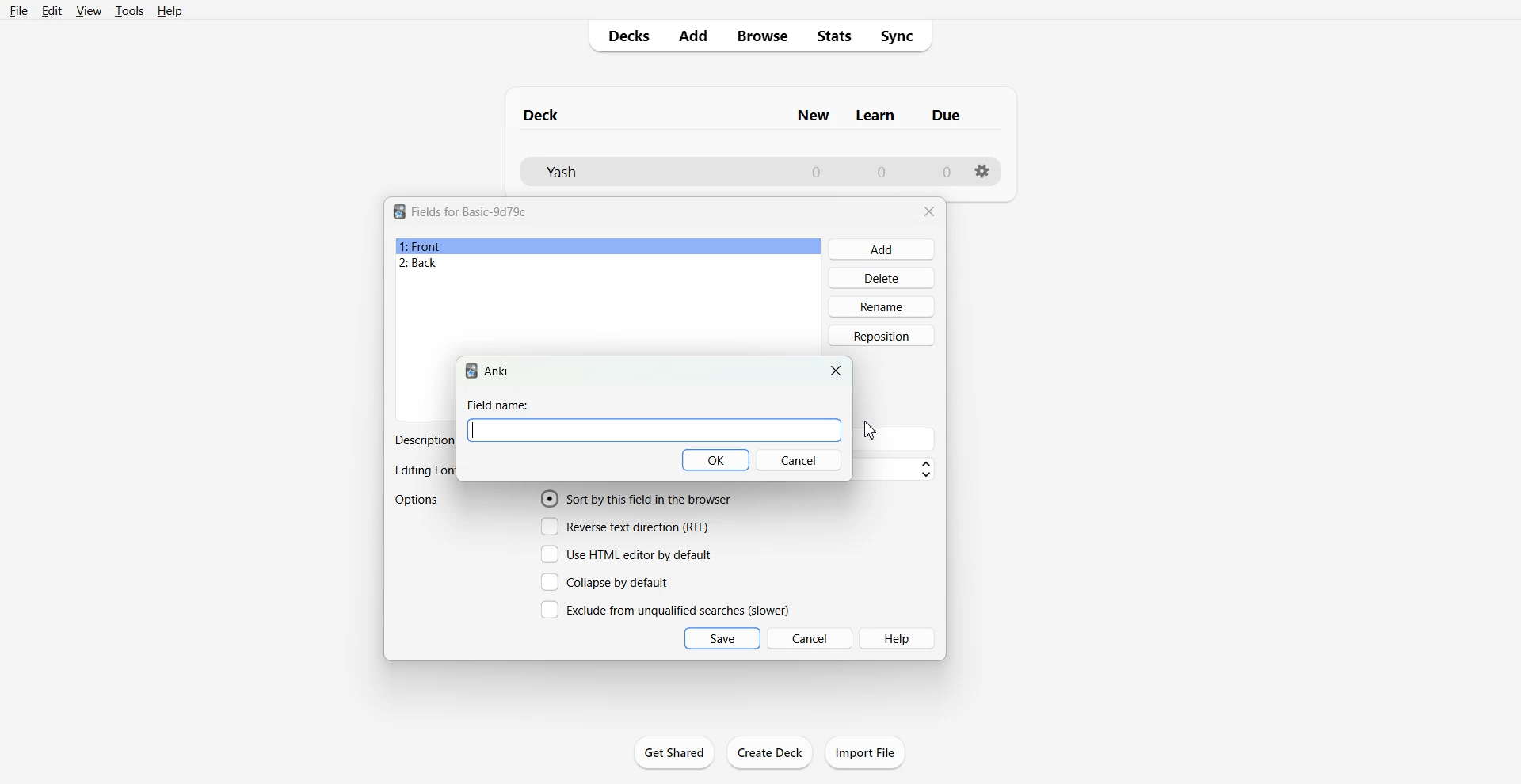 The width and height of the screenshot is (1521, 784). What do you see at coordinates (722, 638) in the screenshot?
I see `Save` at bounding box center [722, 638].